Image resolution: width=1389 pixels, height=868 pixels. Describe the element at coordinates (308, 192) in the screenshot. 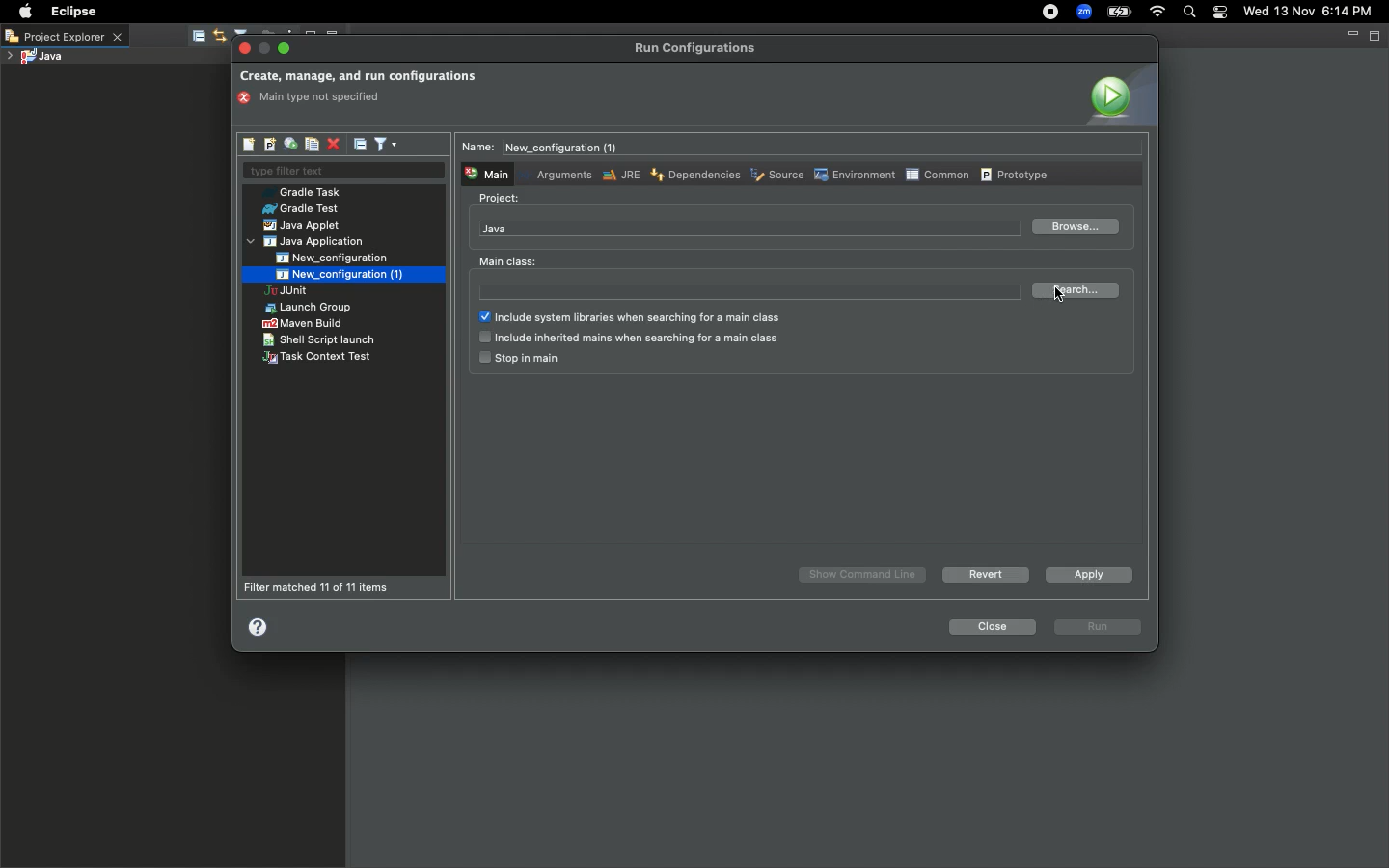

I see `Gradle task` at that location.